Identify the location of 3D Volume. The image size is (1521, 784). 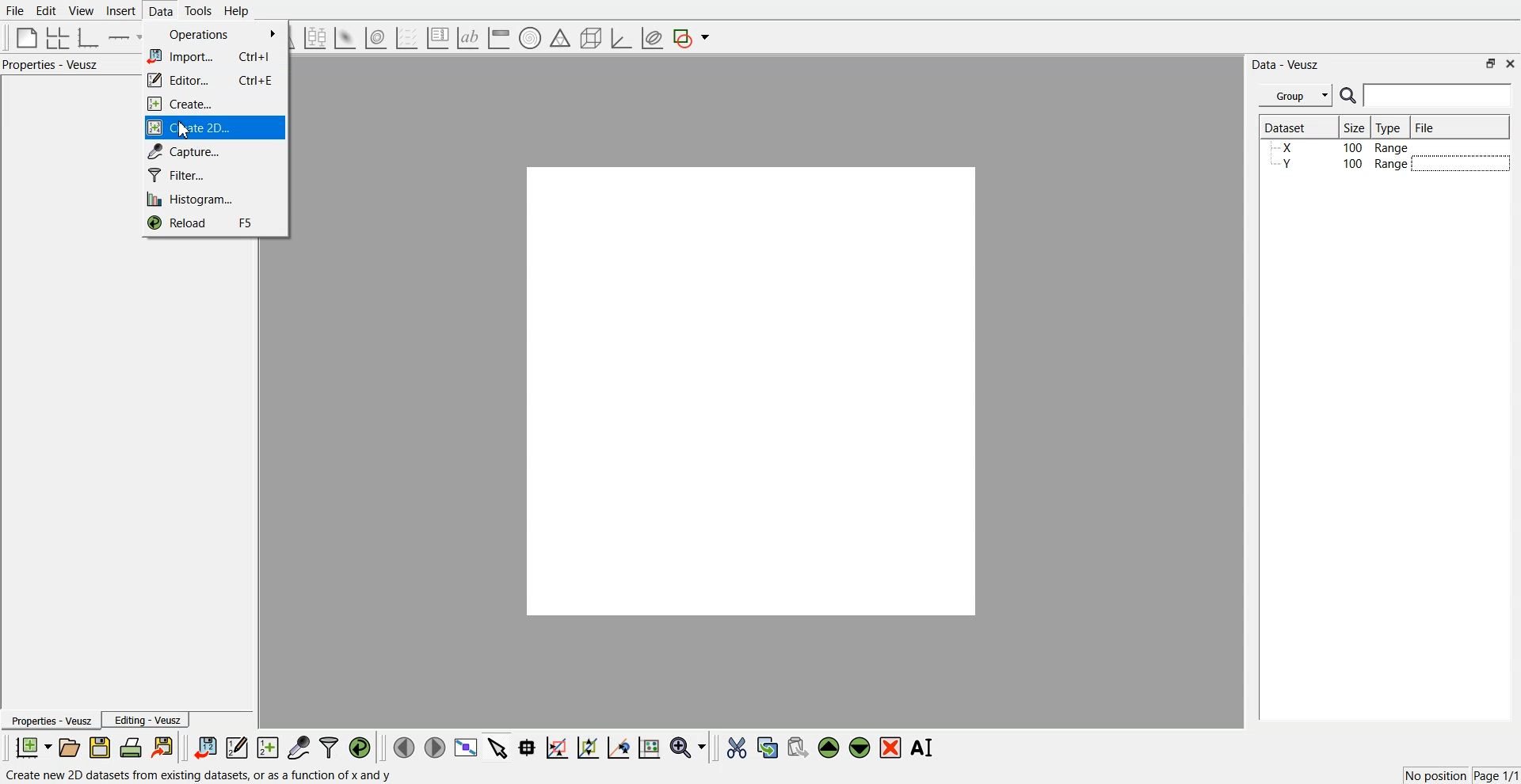
(375, 38).